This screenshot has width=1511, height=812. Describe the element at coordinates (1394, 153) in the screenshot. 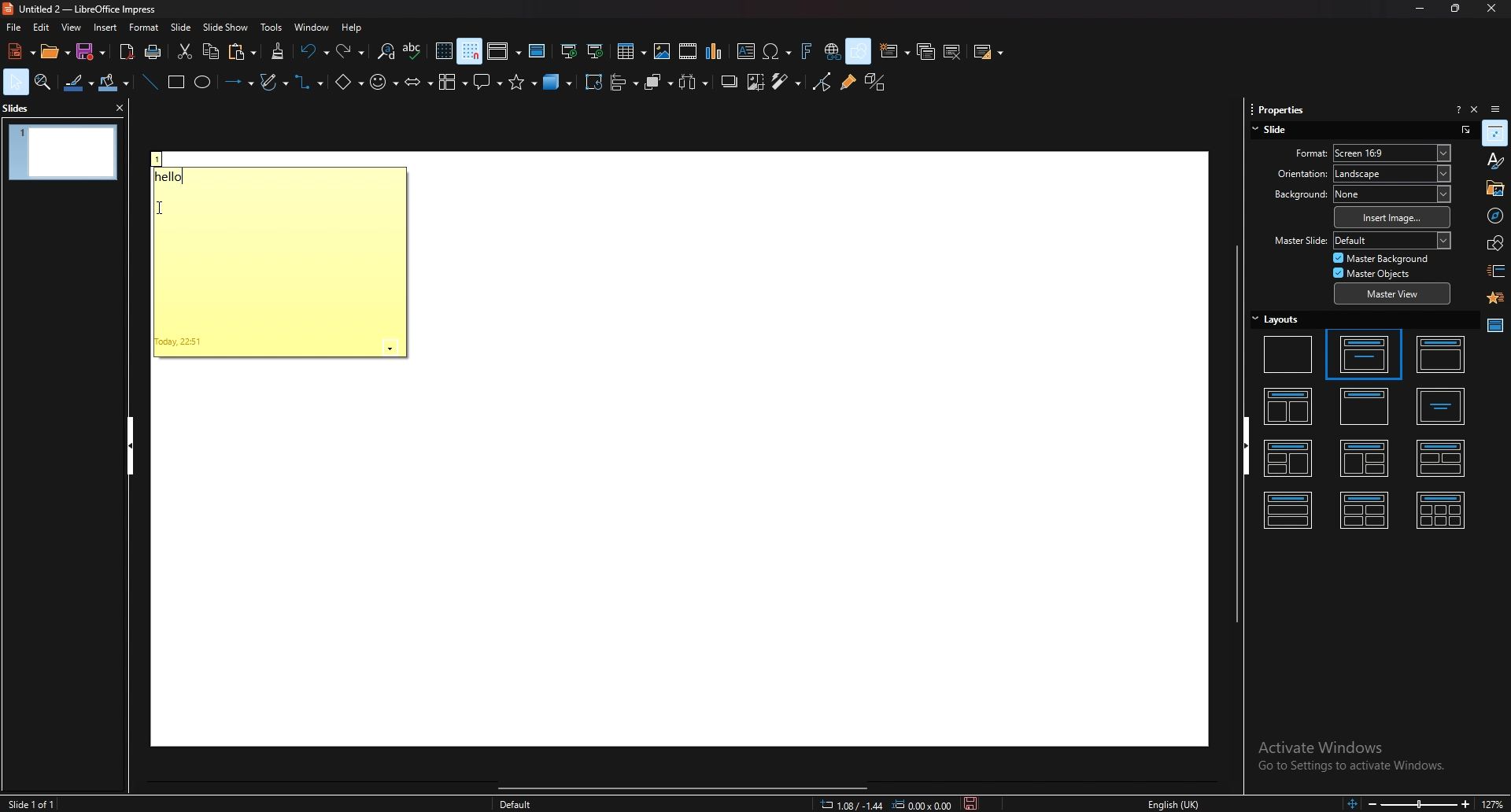

I see `screen 16:9` at that location.